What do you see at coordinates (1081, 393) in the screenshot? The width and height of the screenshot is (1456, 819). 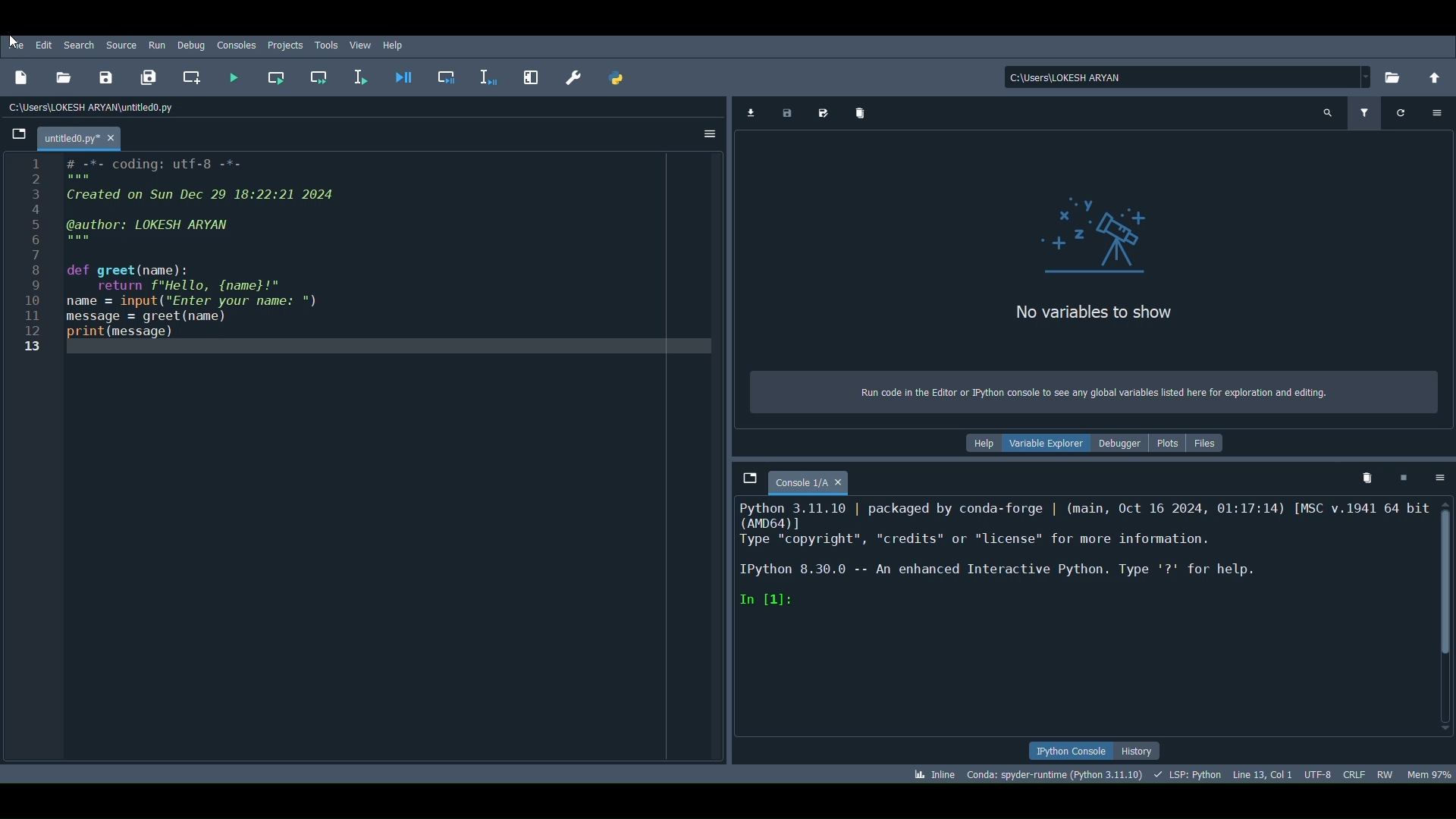 I see `Run code in the Editor or Python console to see any global variables listed here for exploration and editing.` at bounding box center [1081, 393].